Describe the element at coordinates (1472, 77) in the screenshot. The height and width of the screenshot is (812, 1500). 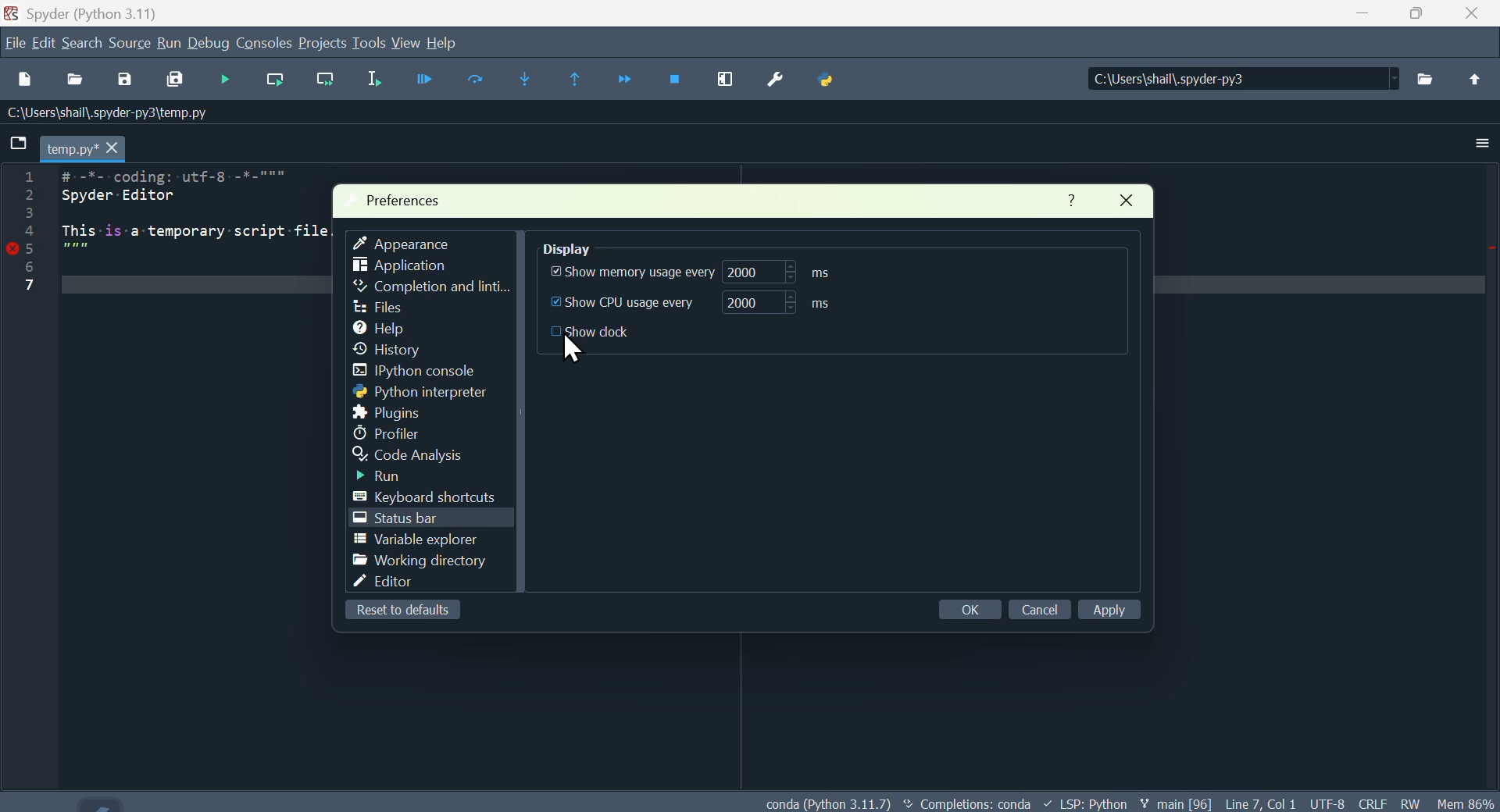
I see `upload` at that location.